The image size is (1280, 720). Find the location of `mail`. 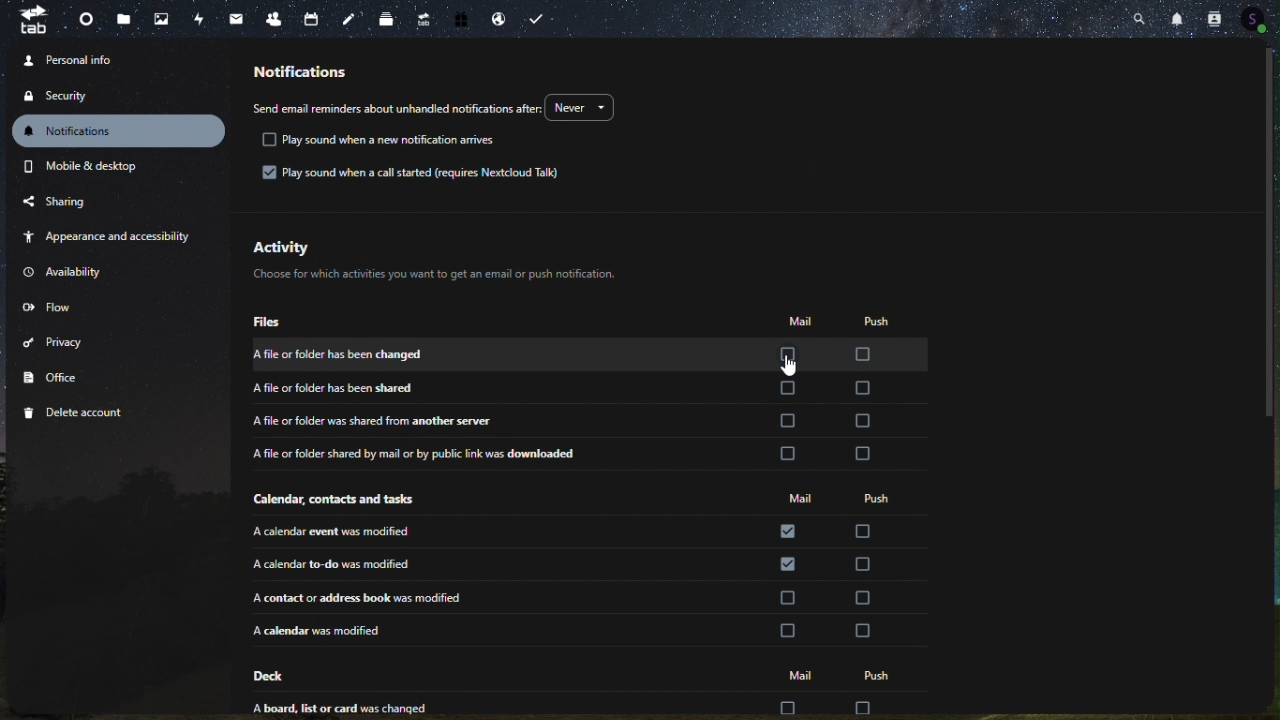

mail is located at coordinates (797, 319).